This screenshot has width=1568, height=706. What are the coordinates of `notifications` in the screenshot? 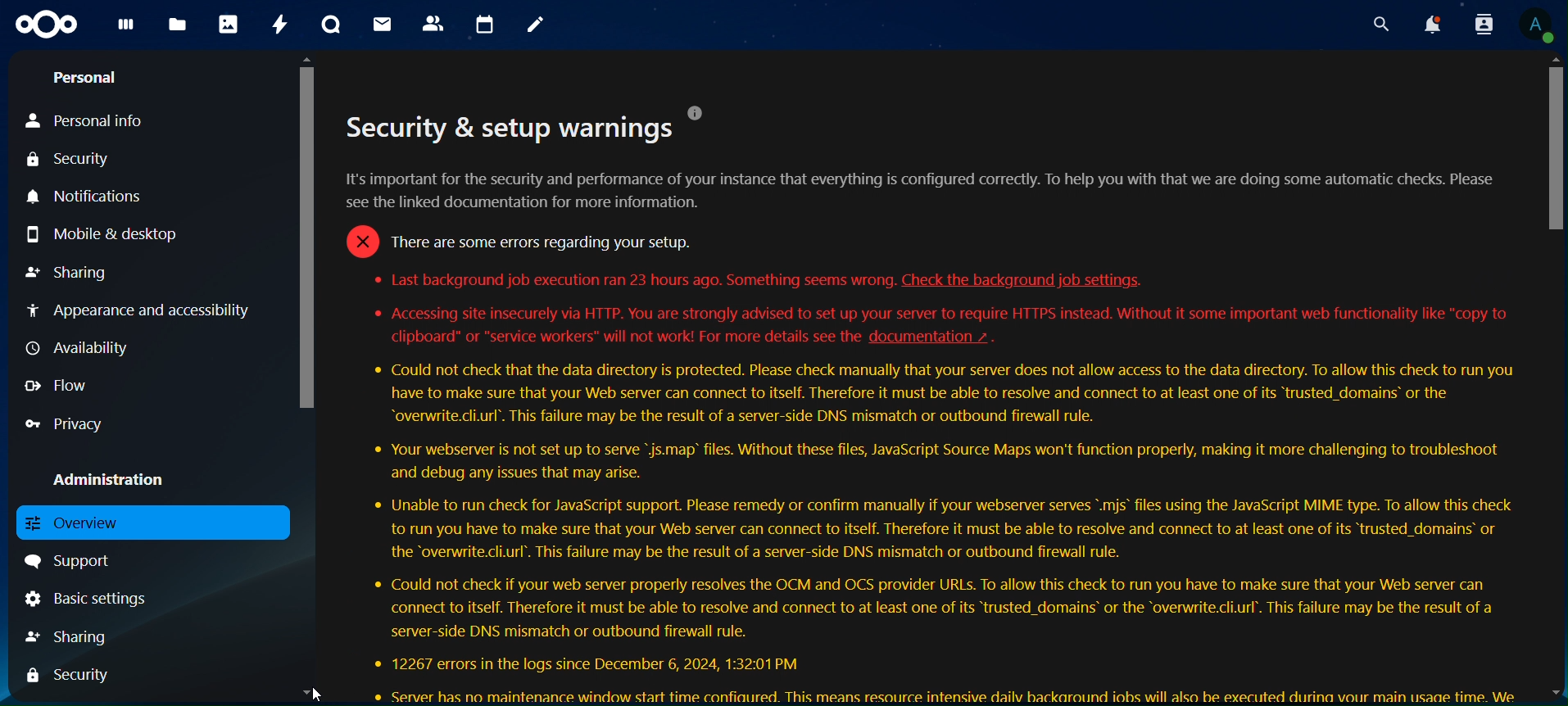 It's located at (1433, 25).